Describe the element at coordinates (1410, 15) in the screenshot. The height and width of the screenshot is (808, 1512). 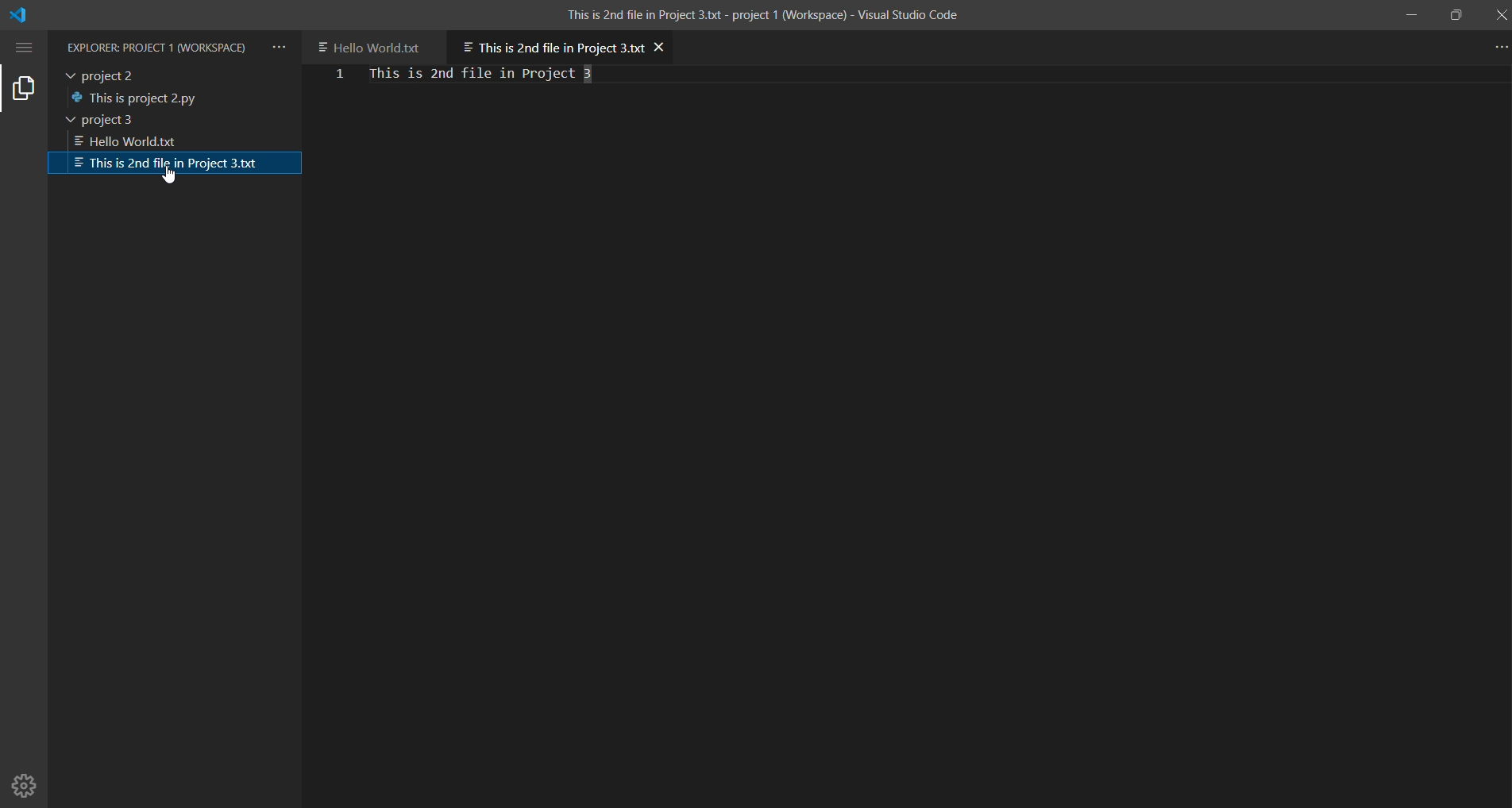
I see `minimize` at that location.